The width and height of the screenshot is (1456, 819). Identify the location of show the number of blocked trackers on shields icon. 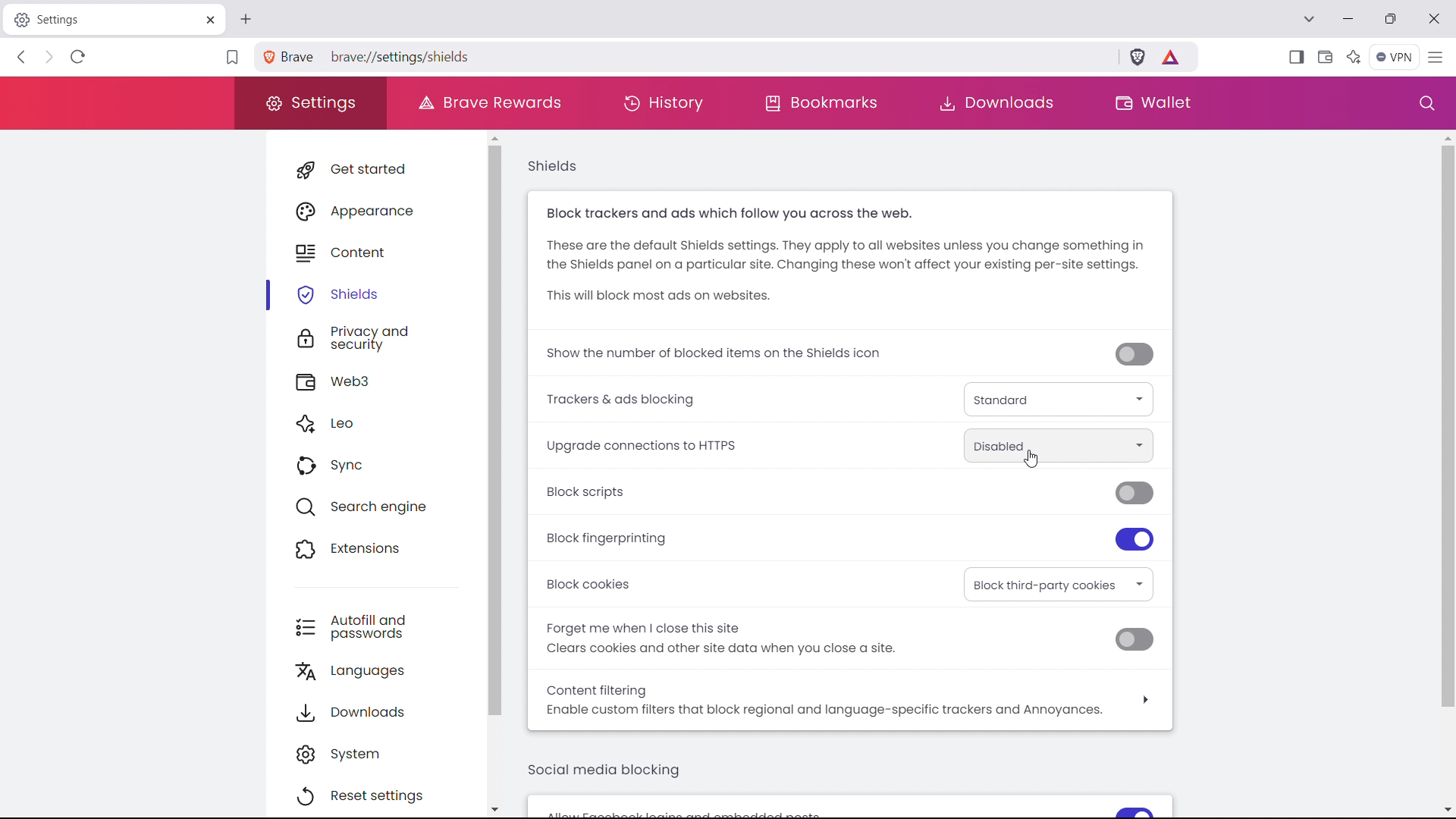
(716, 353).